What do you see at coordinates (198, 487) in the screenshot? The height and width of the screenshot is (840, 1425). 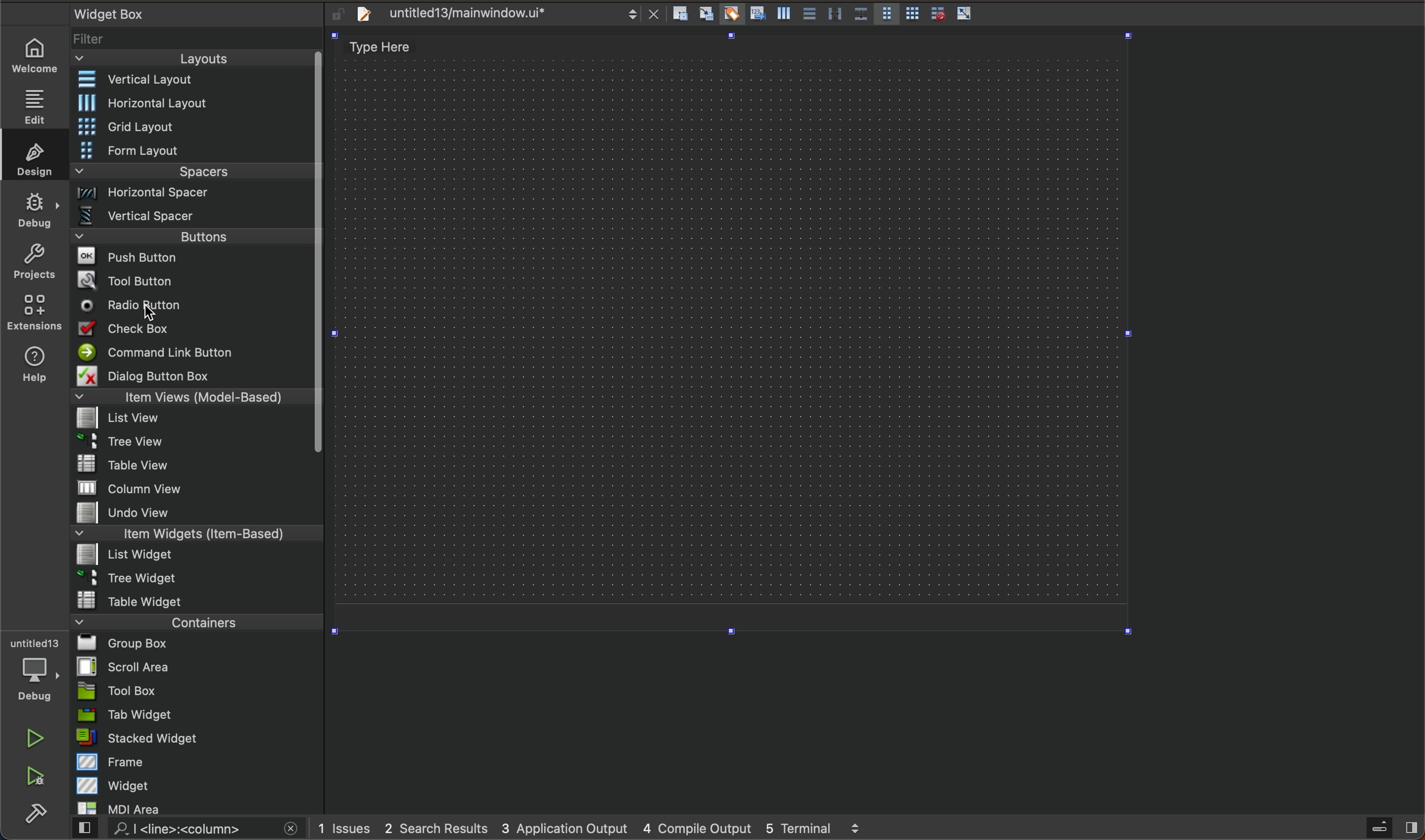 I see `column ` at bounding box center [198, 487].